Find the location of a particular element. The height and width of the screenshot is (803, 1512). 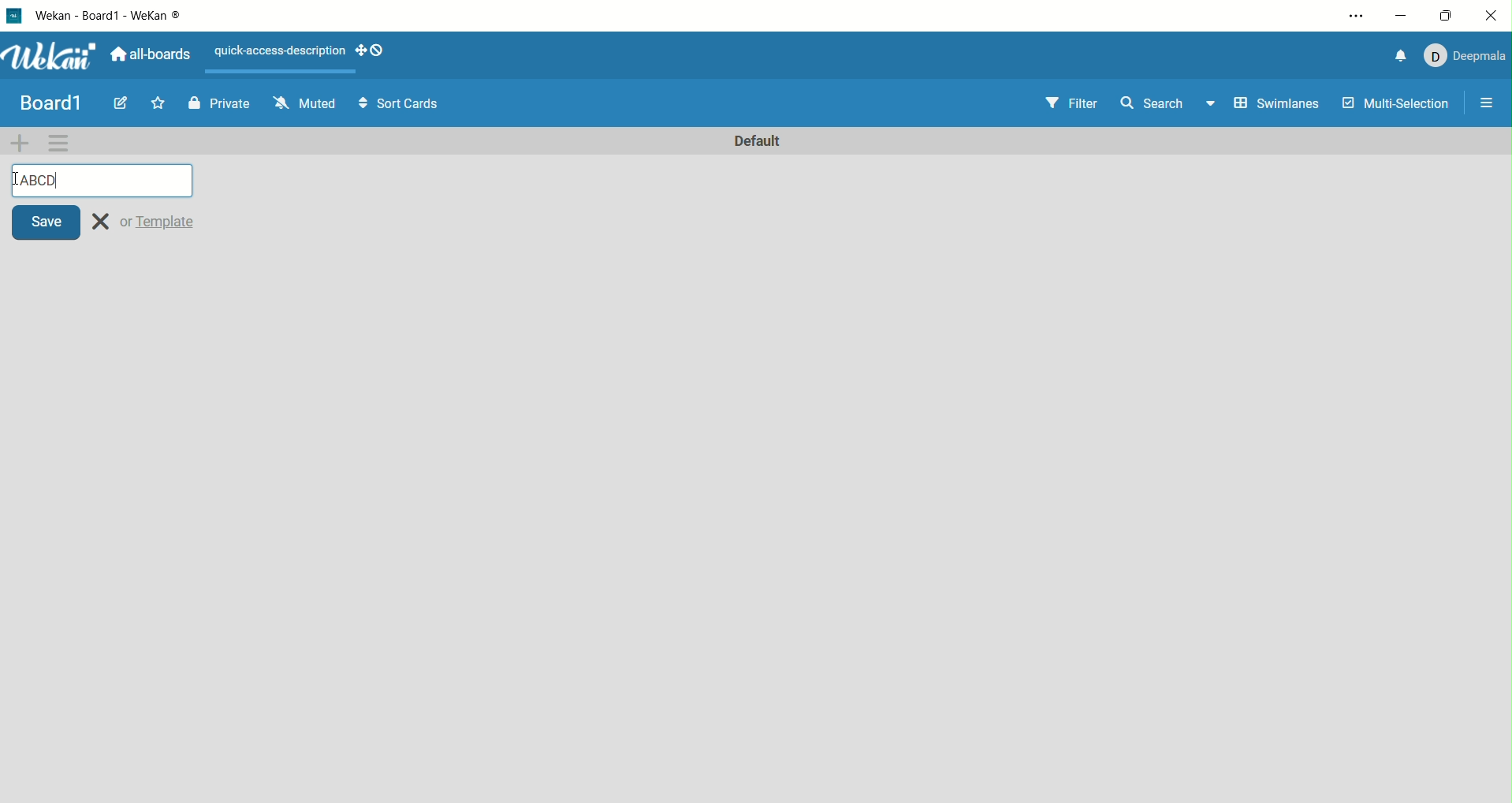

logo is located at coordinates (12, 17).